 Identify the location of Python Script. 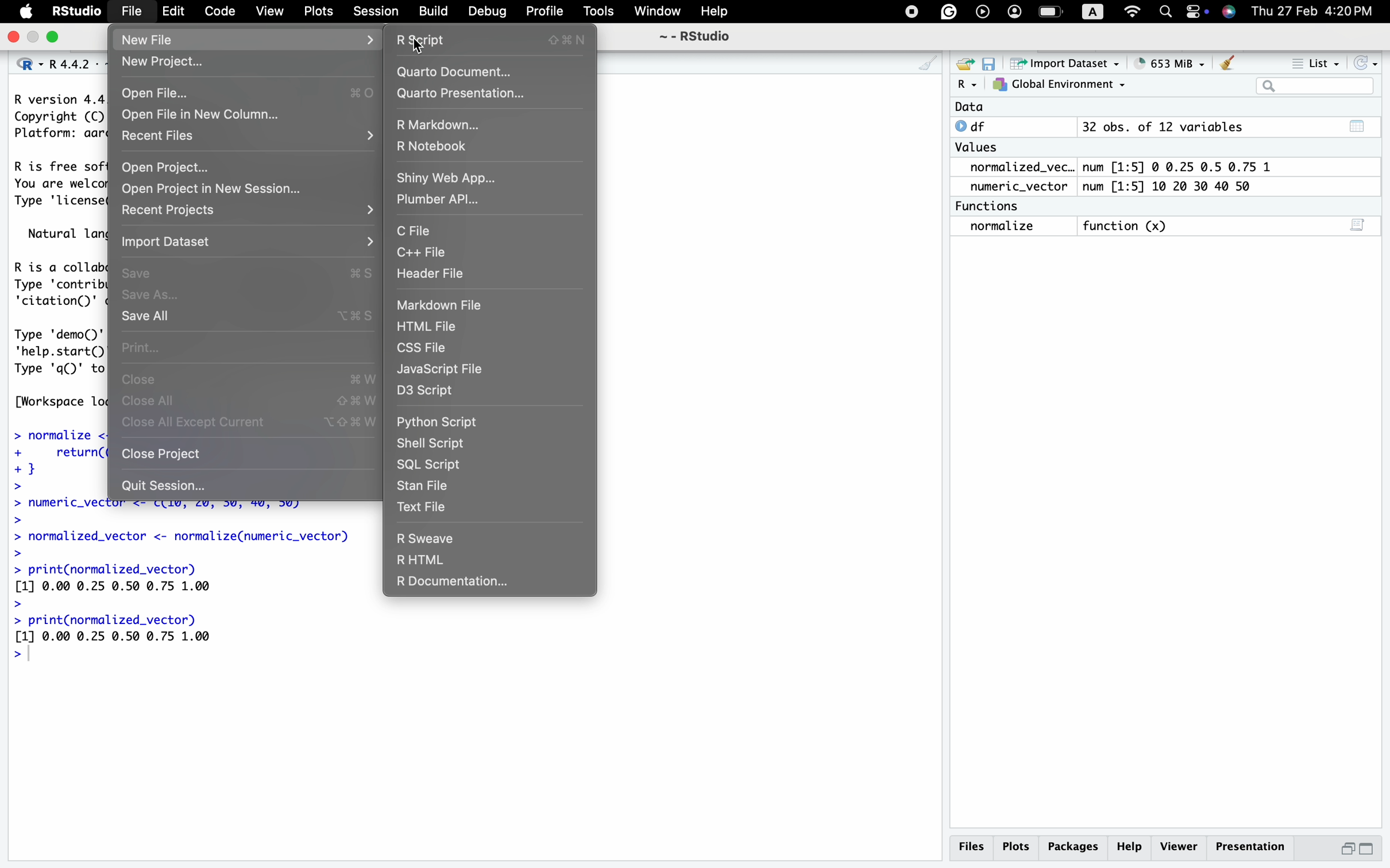
(439, 424).